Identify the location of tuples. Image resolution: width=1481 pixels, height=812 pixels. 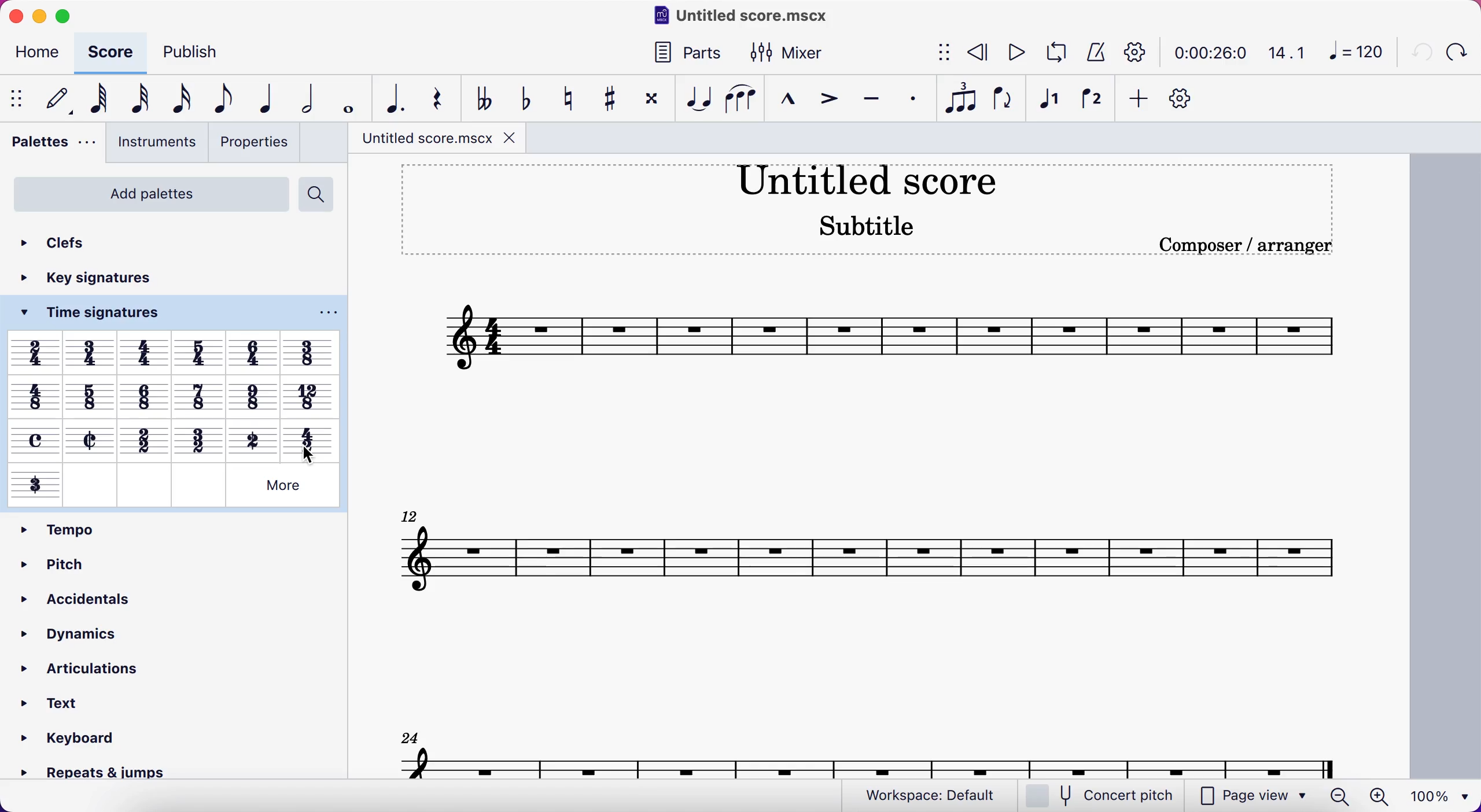
(957, 99).